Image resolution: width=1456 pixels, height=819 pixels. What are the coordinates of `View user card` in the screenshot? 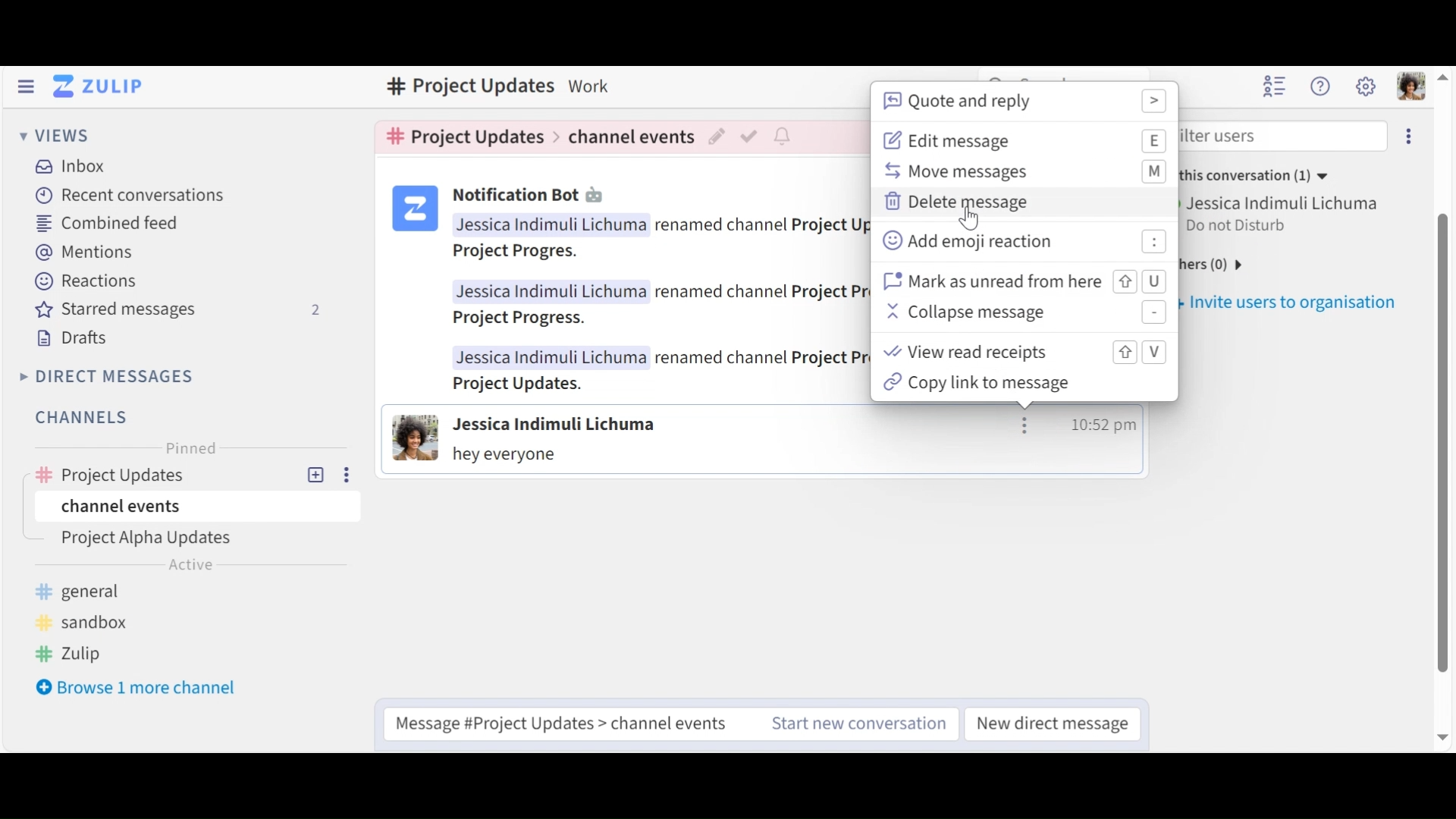 It's located at (412, 438).